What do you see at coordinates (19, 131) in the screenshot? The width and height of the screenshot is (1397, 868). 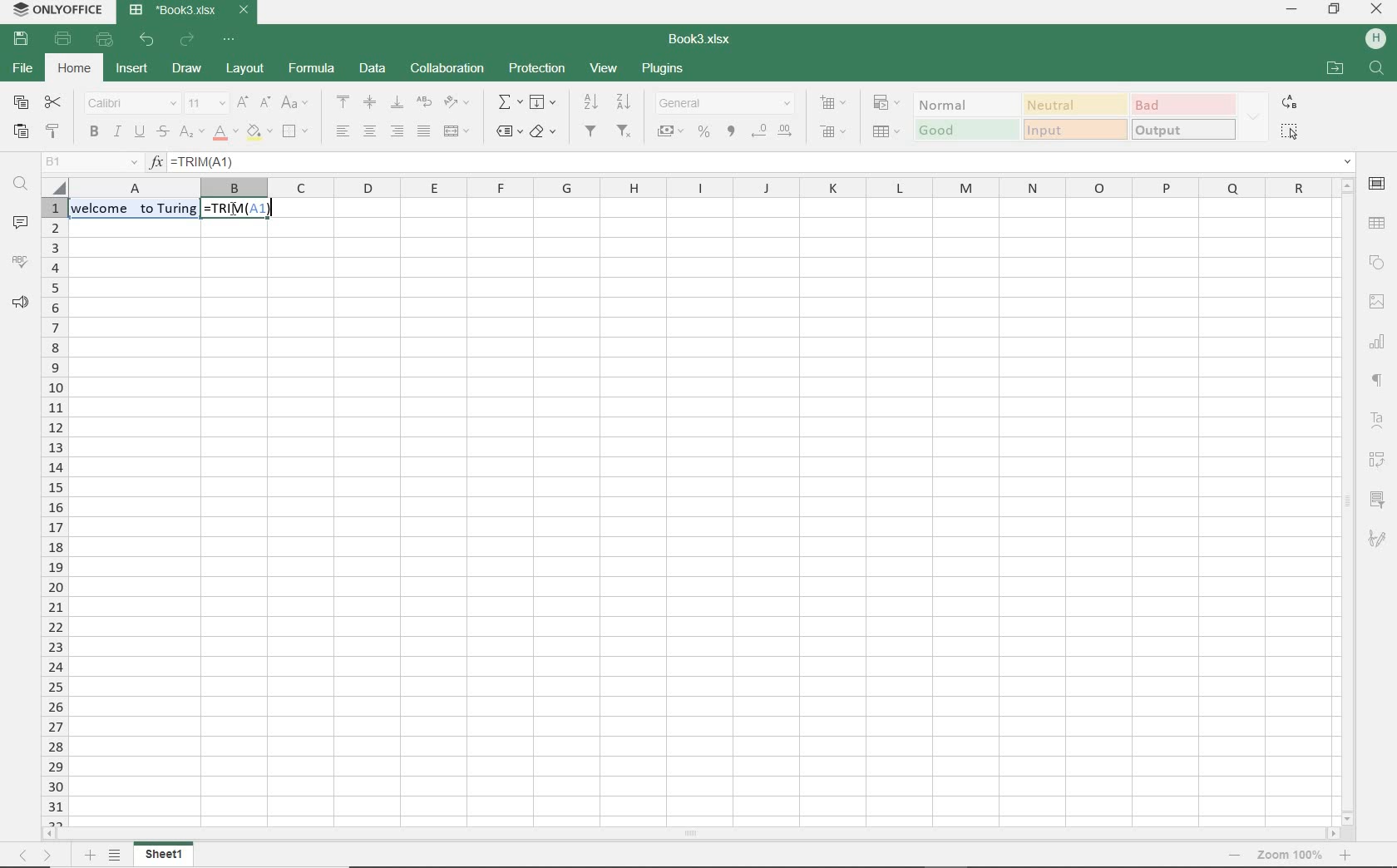 I see `paste` at bounding box center [19, 131].